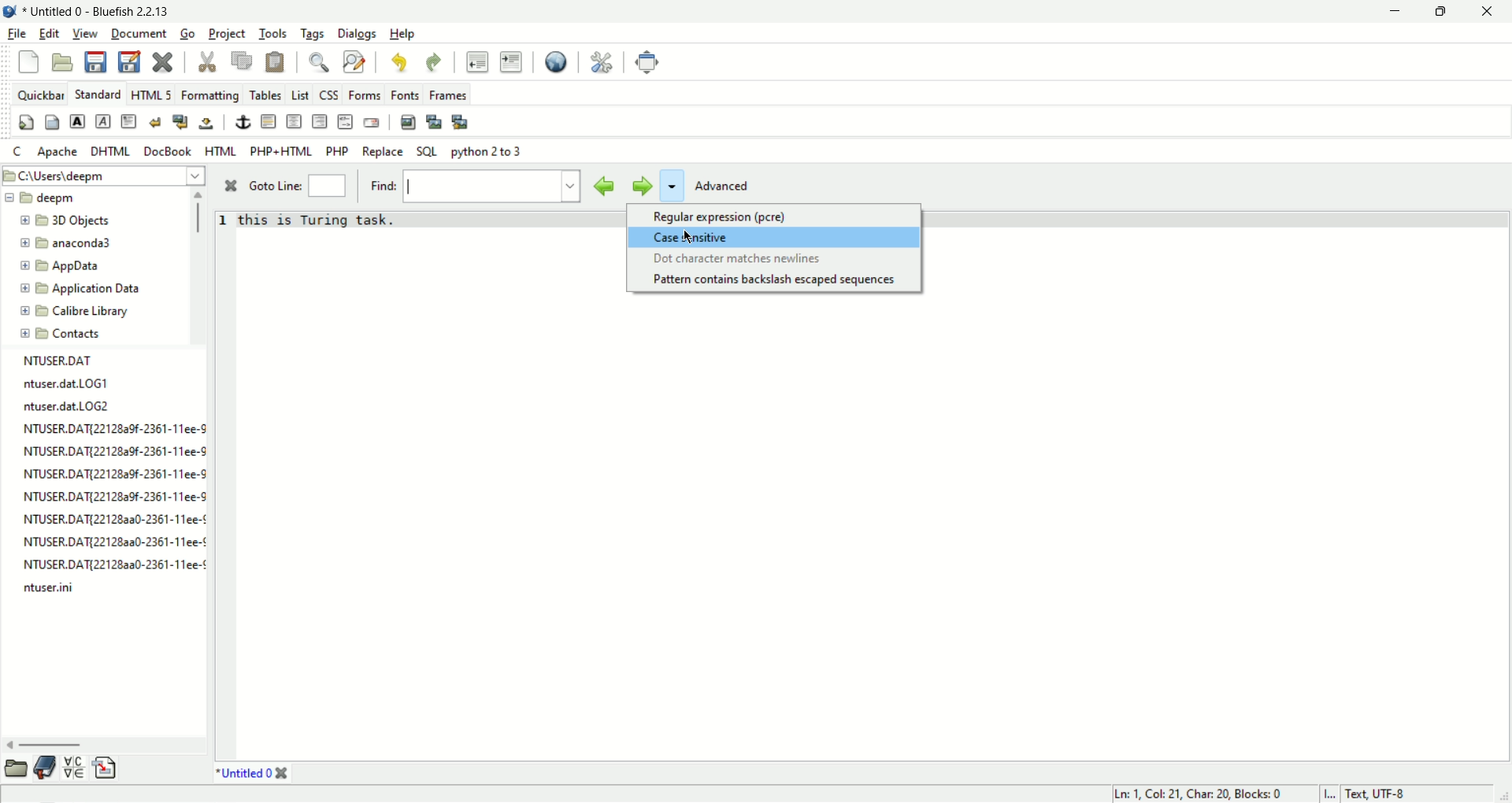 Image resolution: width=1512 pixels, height=803 pixels. Describe the element at coordinates (573, 186) in the screenshot. I see `find history` at that location.